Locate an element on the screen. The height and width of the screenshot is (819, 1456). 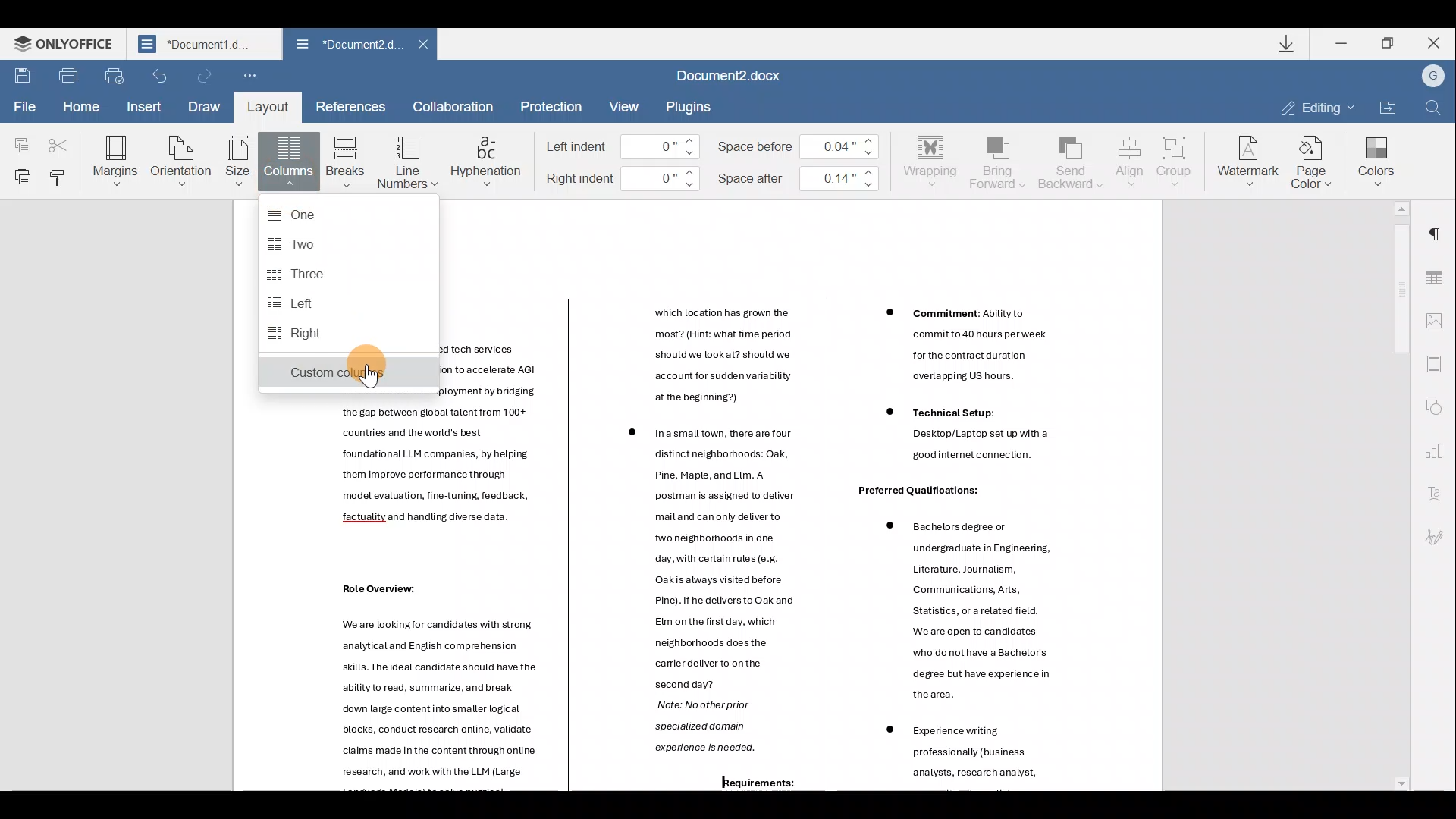
Save is located at coordinates (20, 77).